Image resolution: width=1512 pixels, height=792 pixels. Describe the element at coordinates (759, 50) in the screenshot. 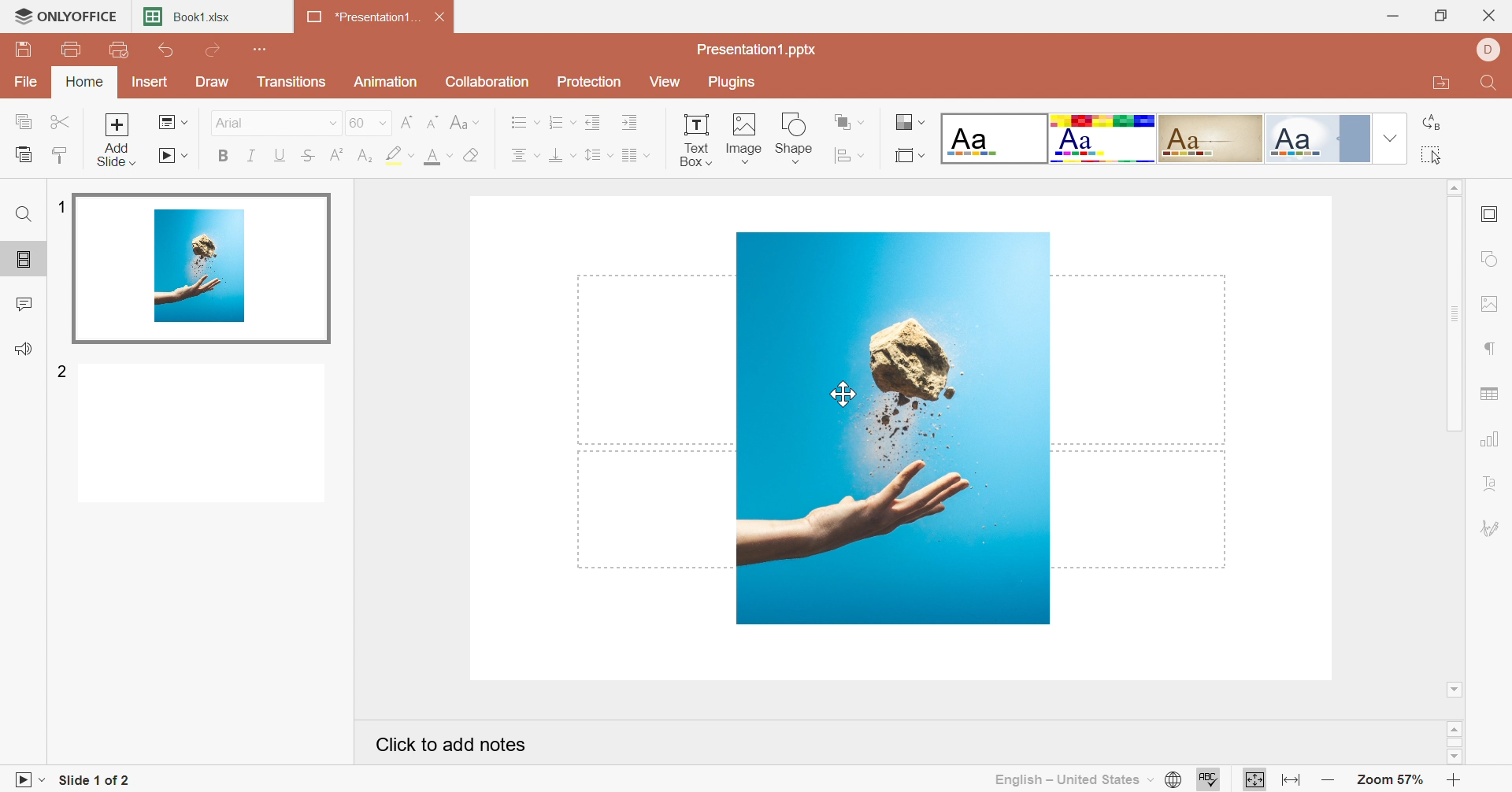

I see `Presentation1.pptx` at that location.